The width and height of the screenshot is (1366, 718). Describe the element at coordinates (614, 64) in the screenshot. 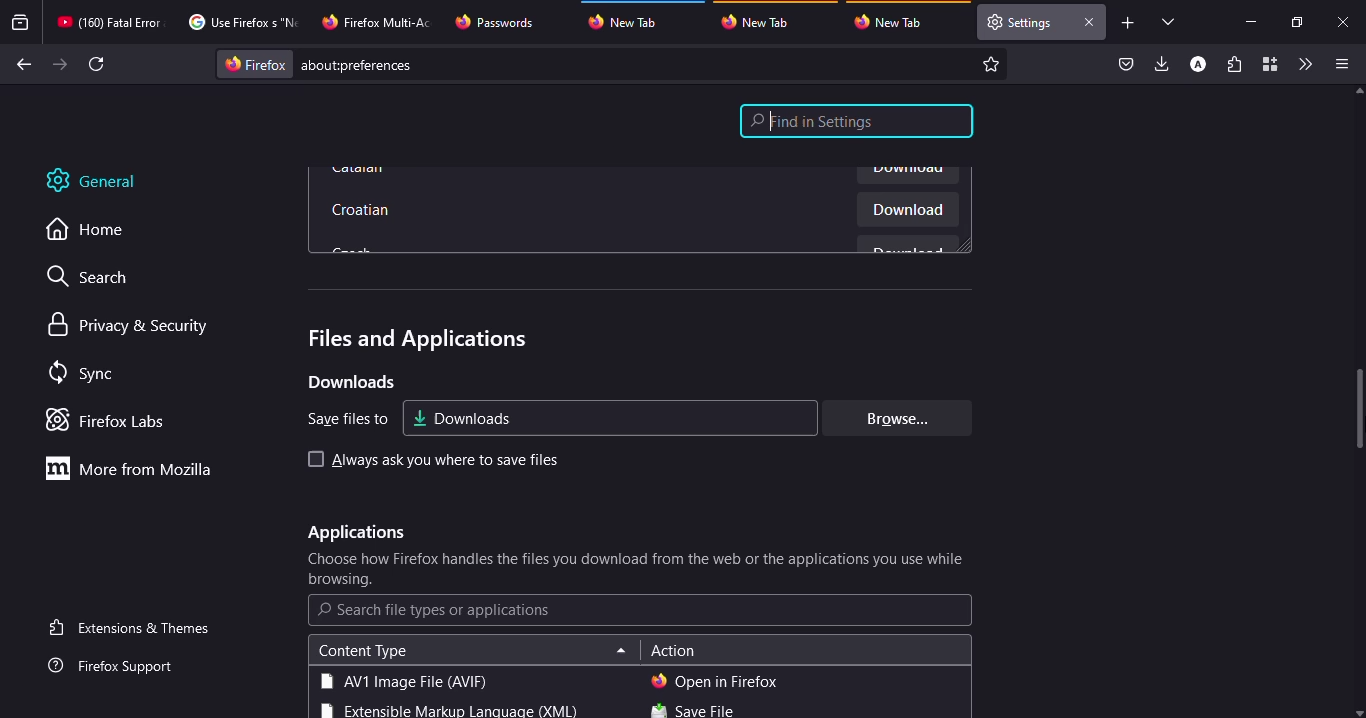

I see `about:preferences` at that location.